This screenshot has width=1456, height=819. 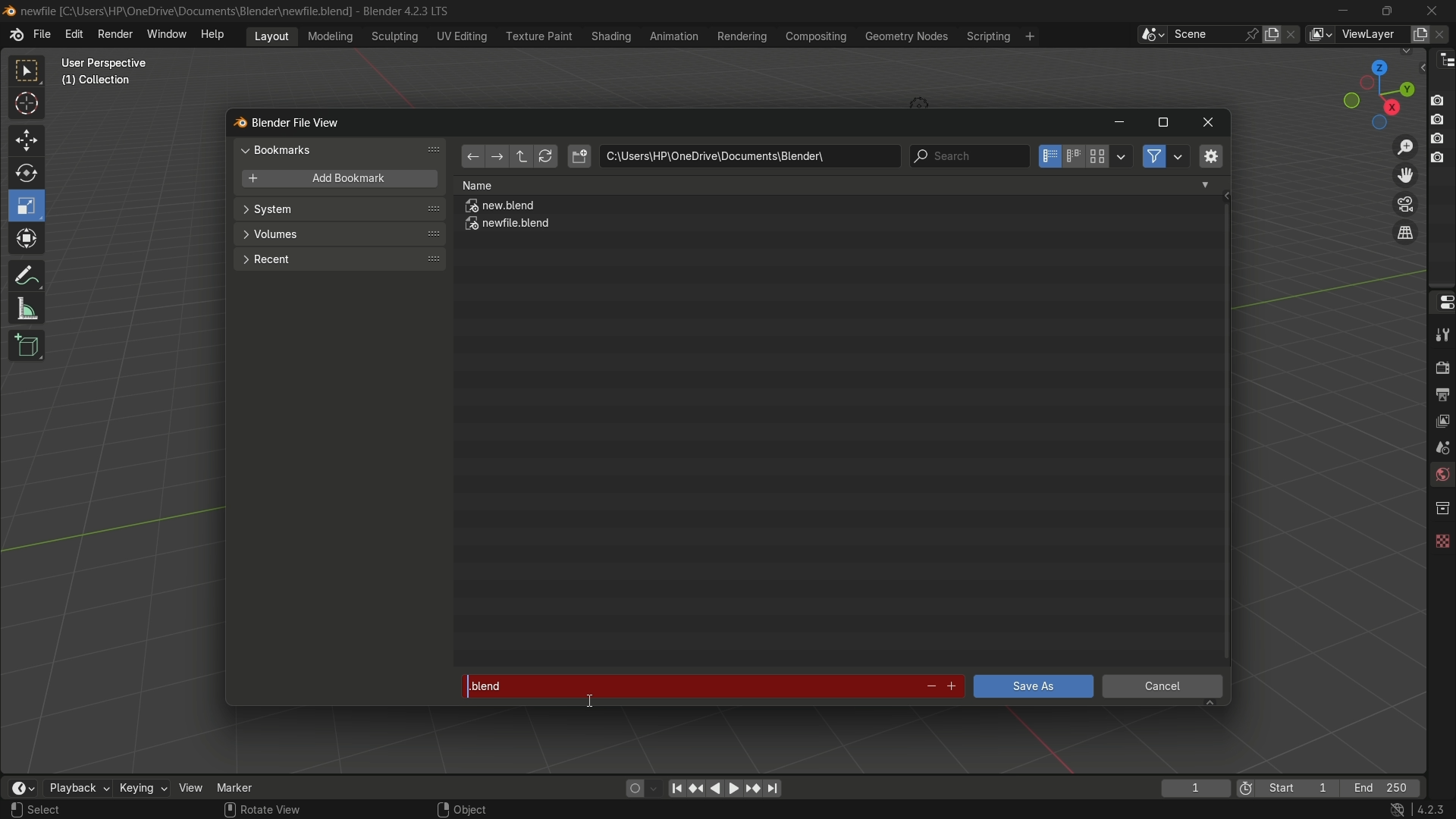 I want to click on filter files, so click(x=1153, y=156).